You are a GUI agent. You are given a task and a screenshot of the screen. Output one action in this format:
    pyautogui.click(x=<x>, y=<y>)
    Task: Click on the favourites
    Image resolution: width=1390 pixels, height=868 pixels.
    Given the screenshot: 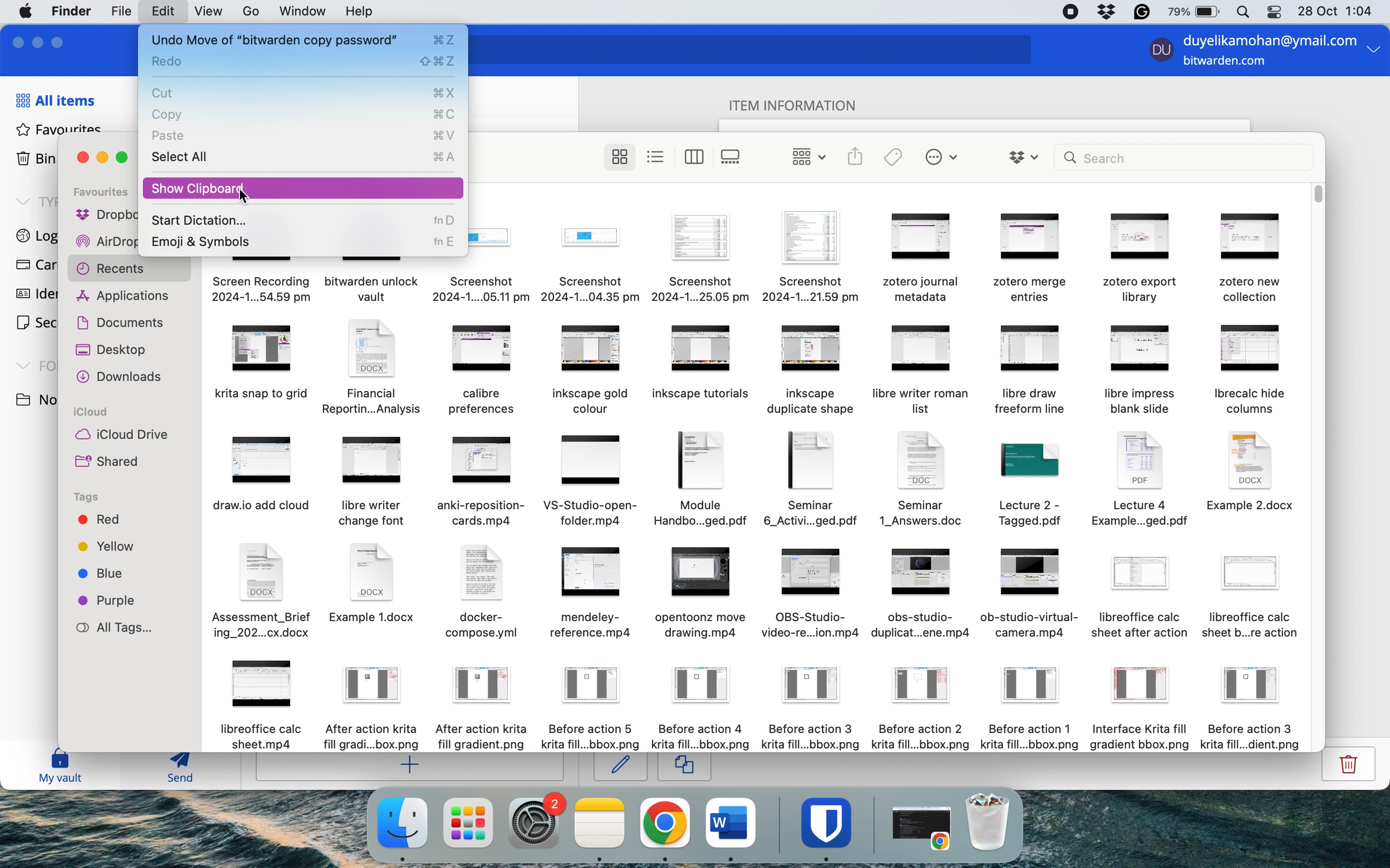 What is the action you would take?
    pyautogui.click(x=60, y=129)
    